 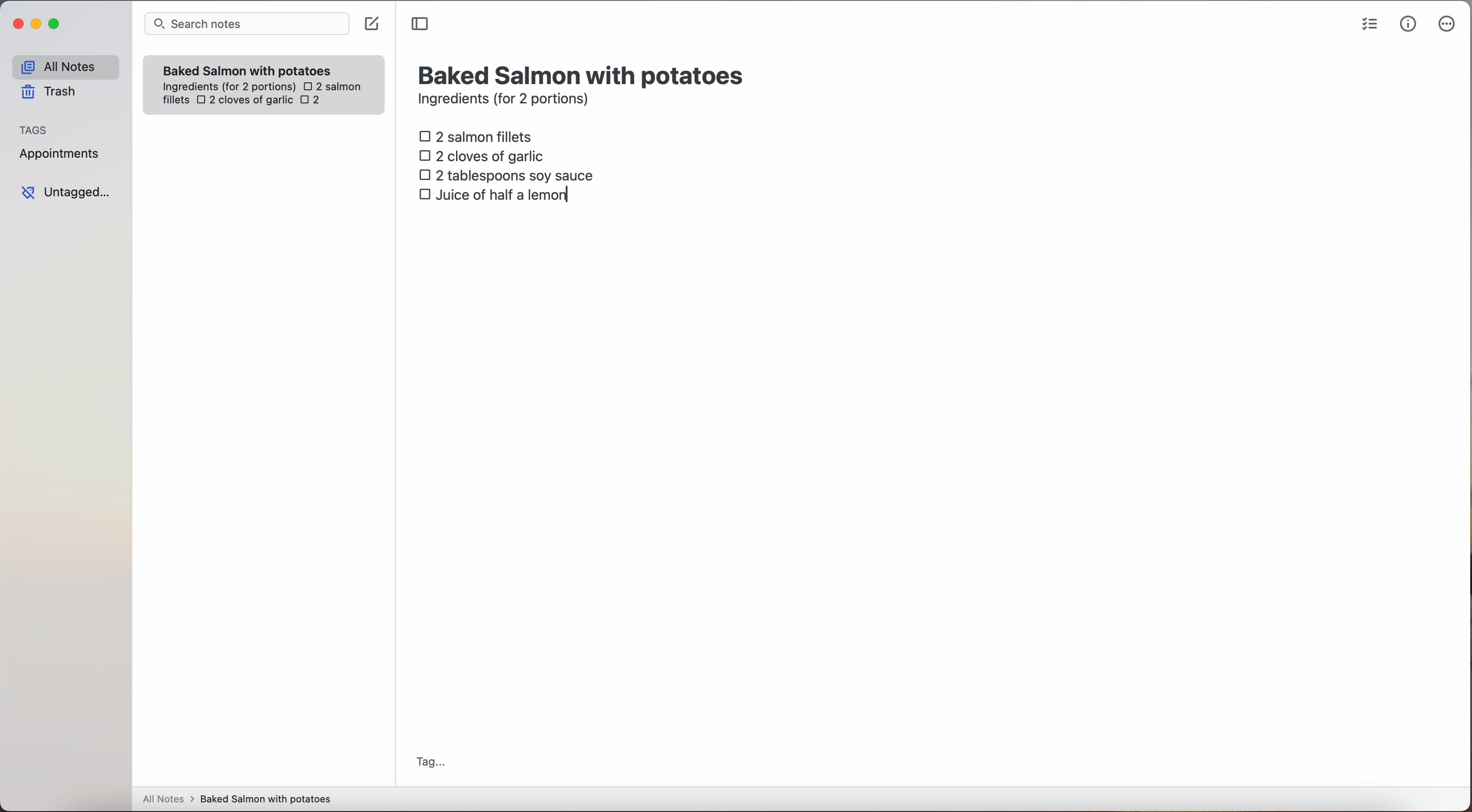 What do you see at coordinates (371, 24) in the screenshot?
I see `create note` at bounding box center [371, 24].